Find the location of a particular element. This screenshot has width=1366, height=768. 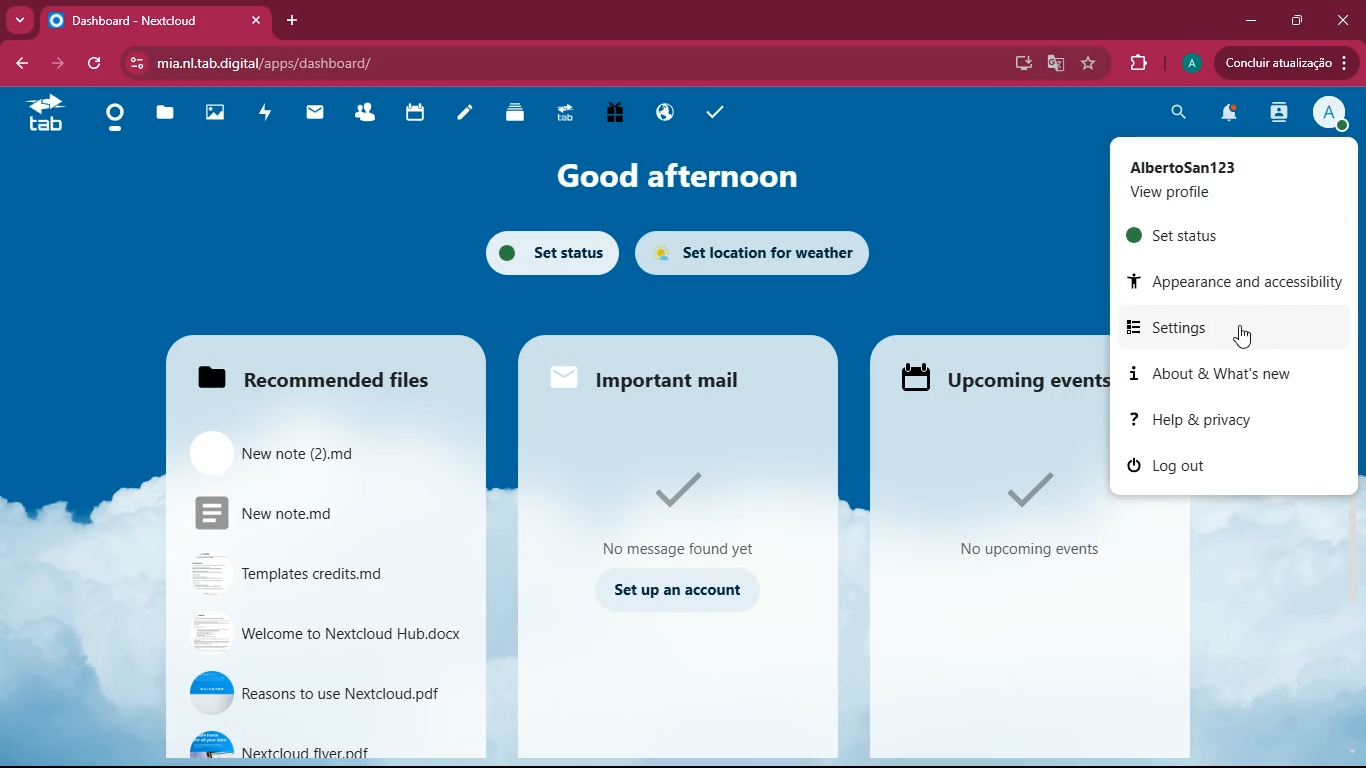

set account is located at coordinates (676, 594).